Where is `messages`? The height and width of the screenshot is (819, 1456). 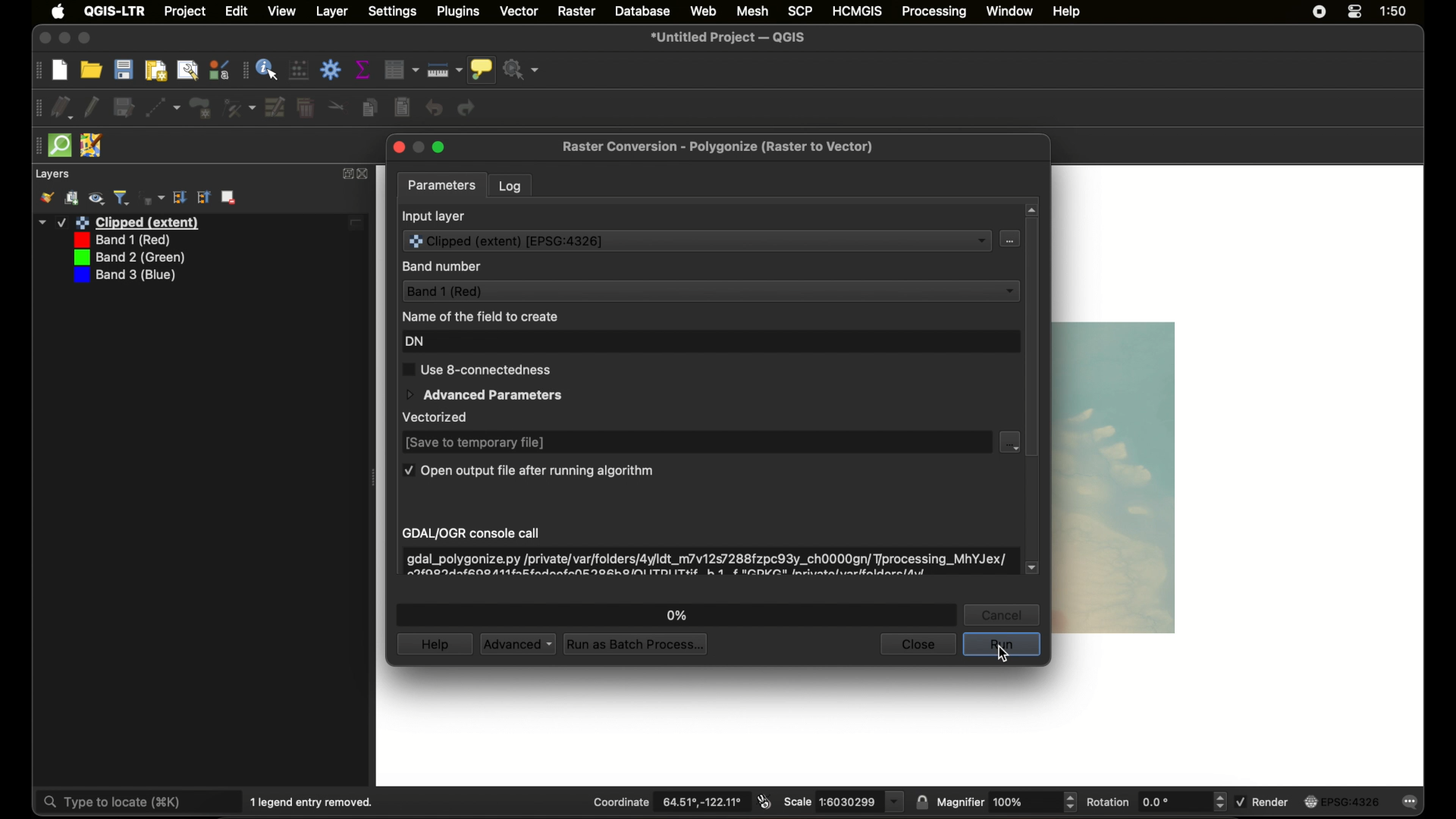
messages is located at coordinates (1410, 802).